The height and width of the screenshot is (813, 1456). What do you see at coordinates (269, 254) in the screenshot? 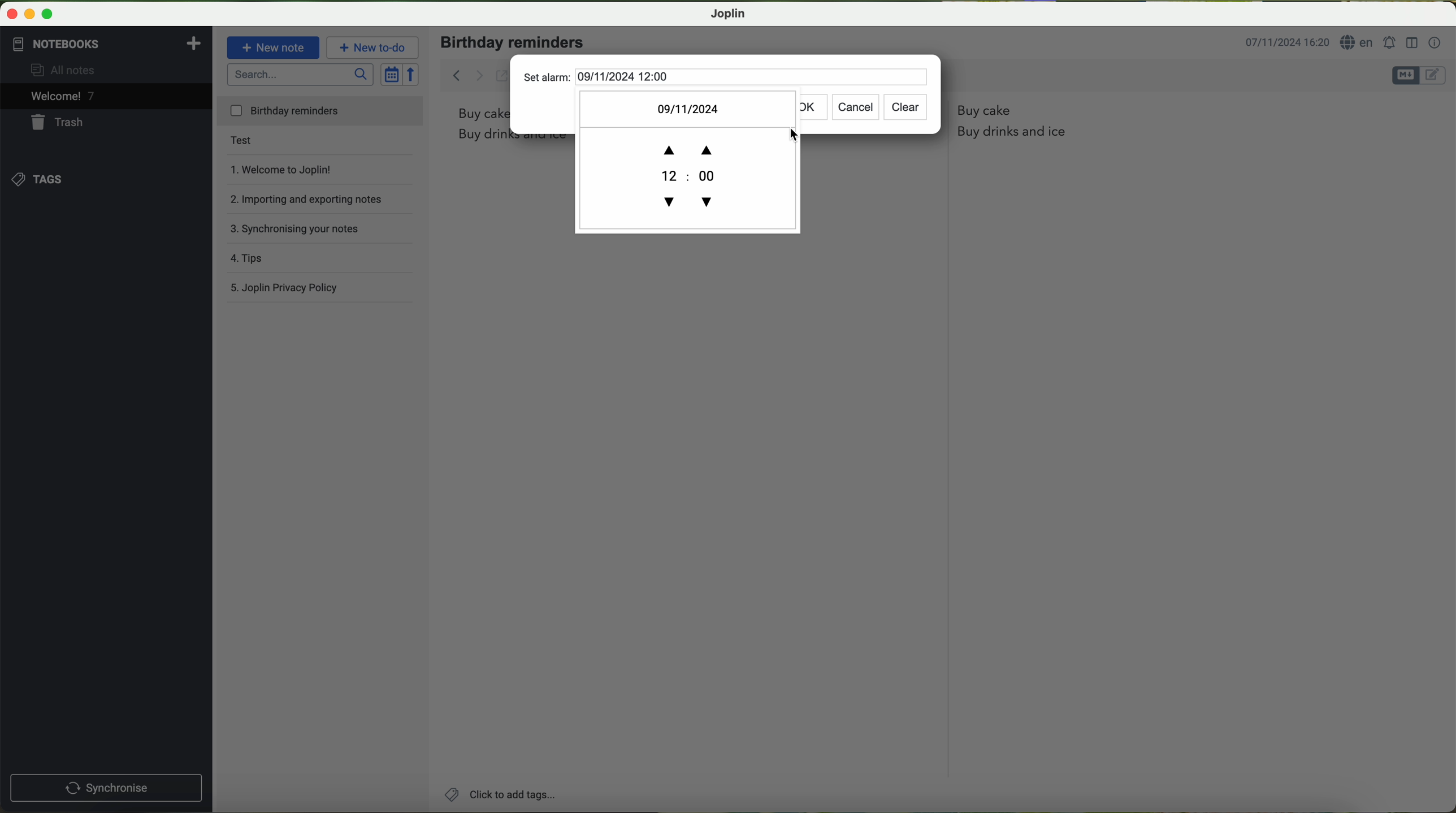
I see `tips` at bounding box center [269, 254].